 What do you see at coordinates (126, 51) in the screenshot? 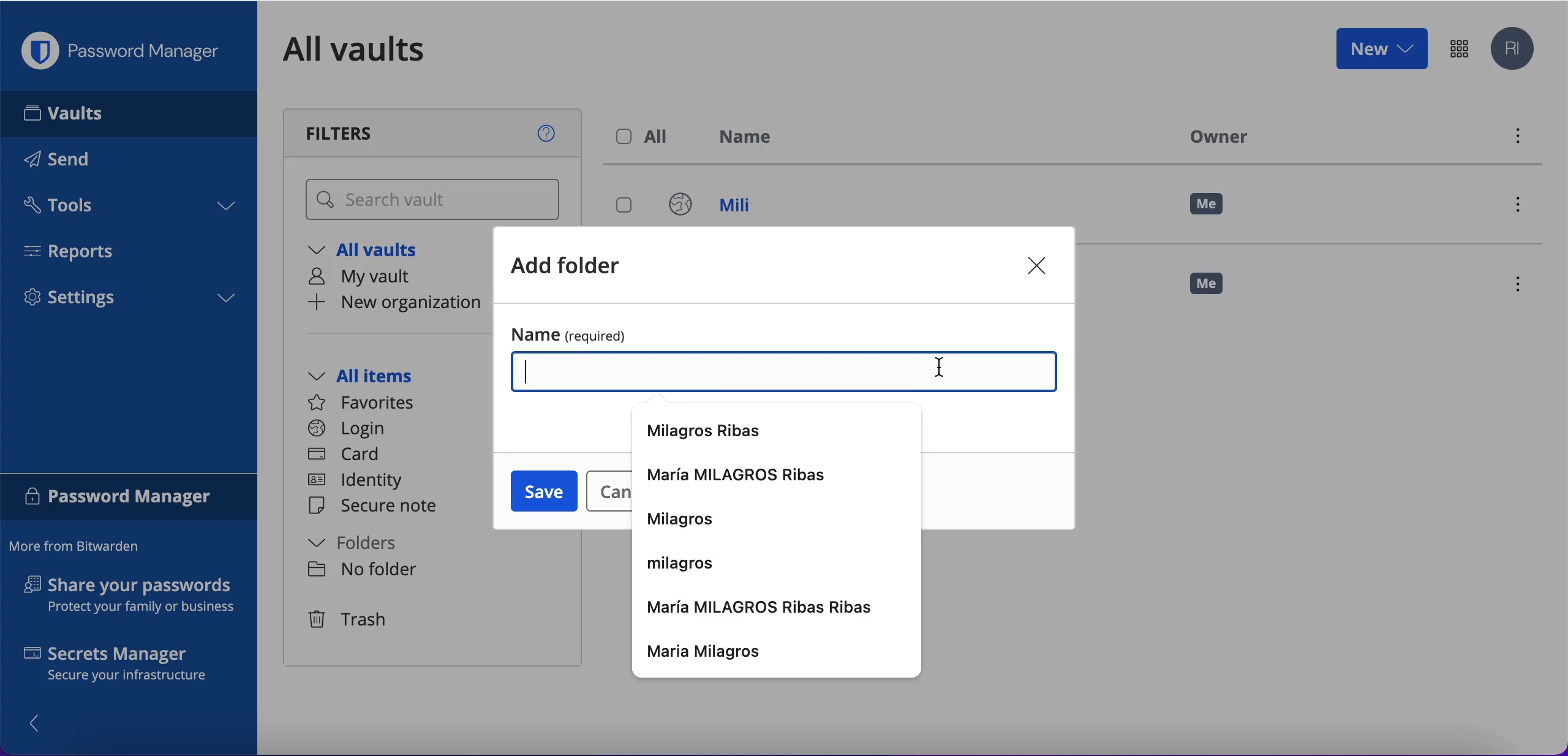
I see `password manager` at bounding box center [126, 51].